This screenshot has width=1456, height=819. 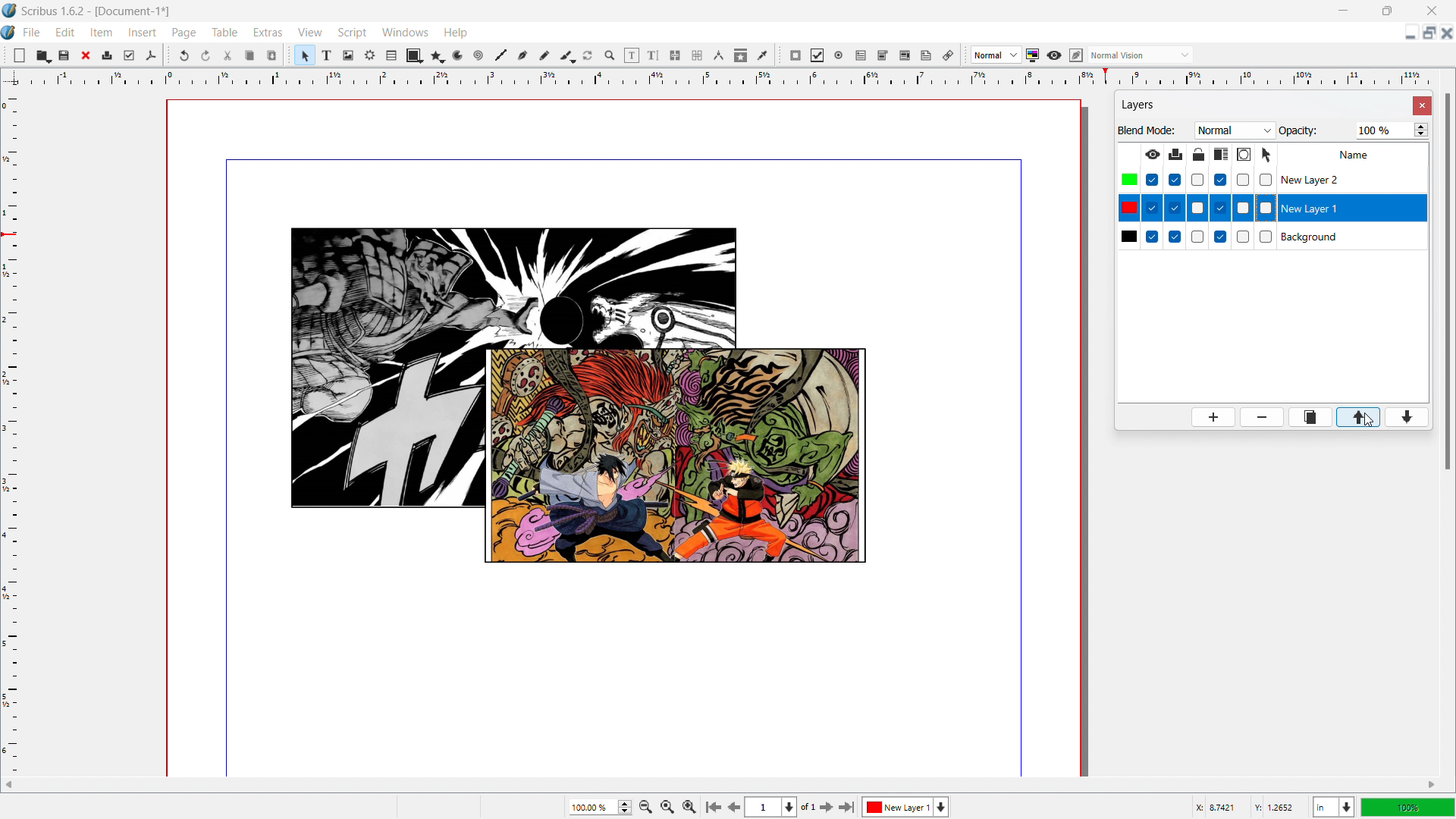 What do you see at coordinates (168, 54) in the screenshot?
I see `move toolbox` at bounding box center [168, 54].